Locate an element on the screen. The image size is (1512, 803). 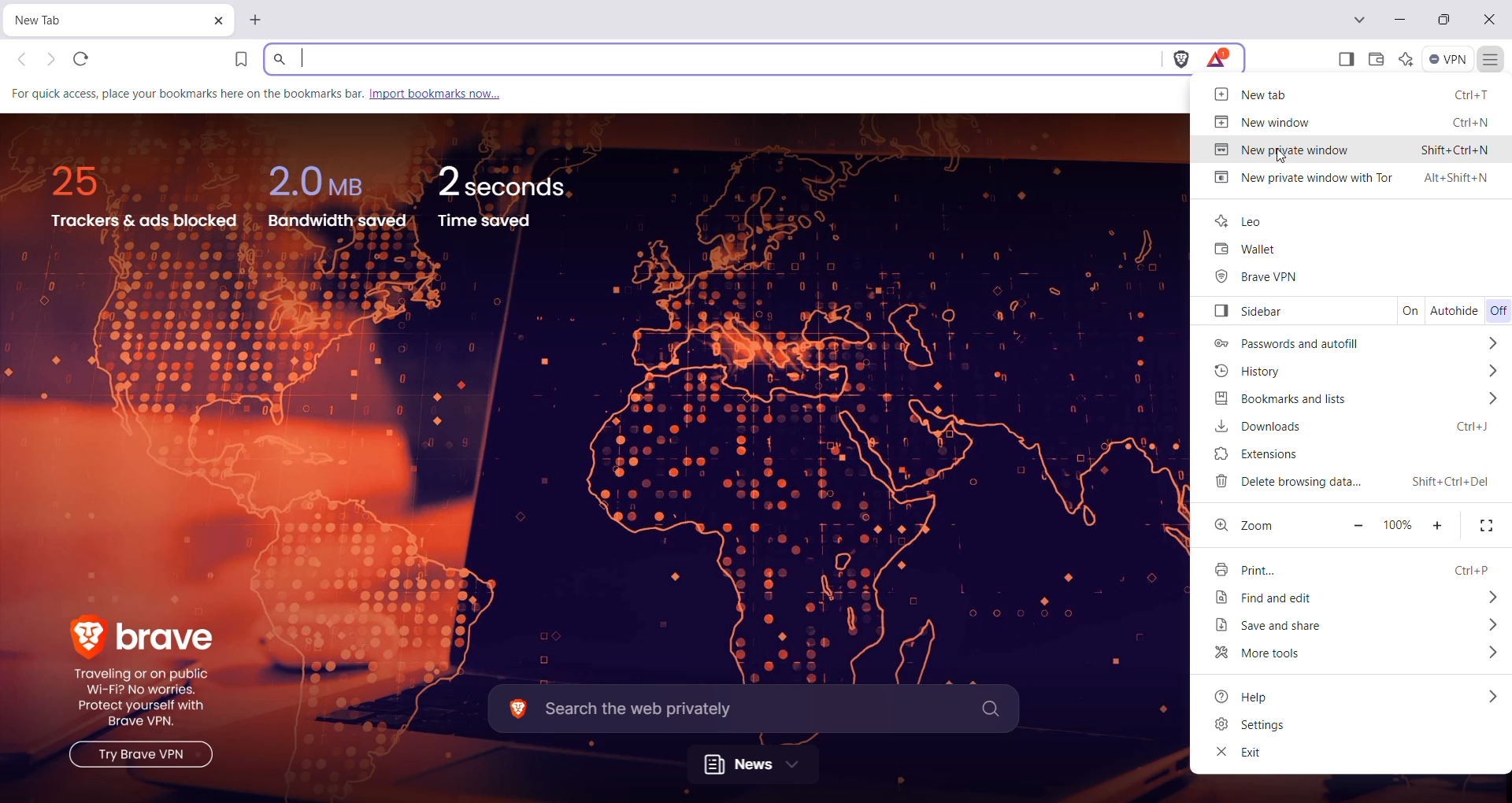
Bookmark this Tab is located at coordinates (245, 60).